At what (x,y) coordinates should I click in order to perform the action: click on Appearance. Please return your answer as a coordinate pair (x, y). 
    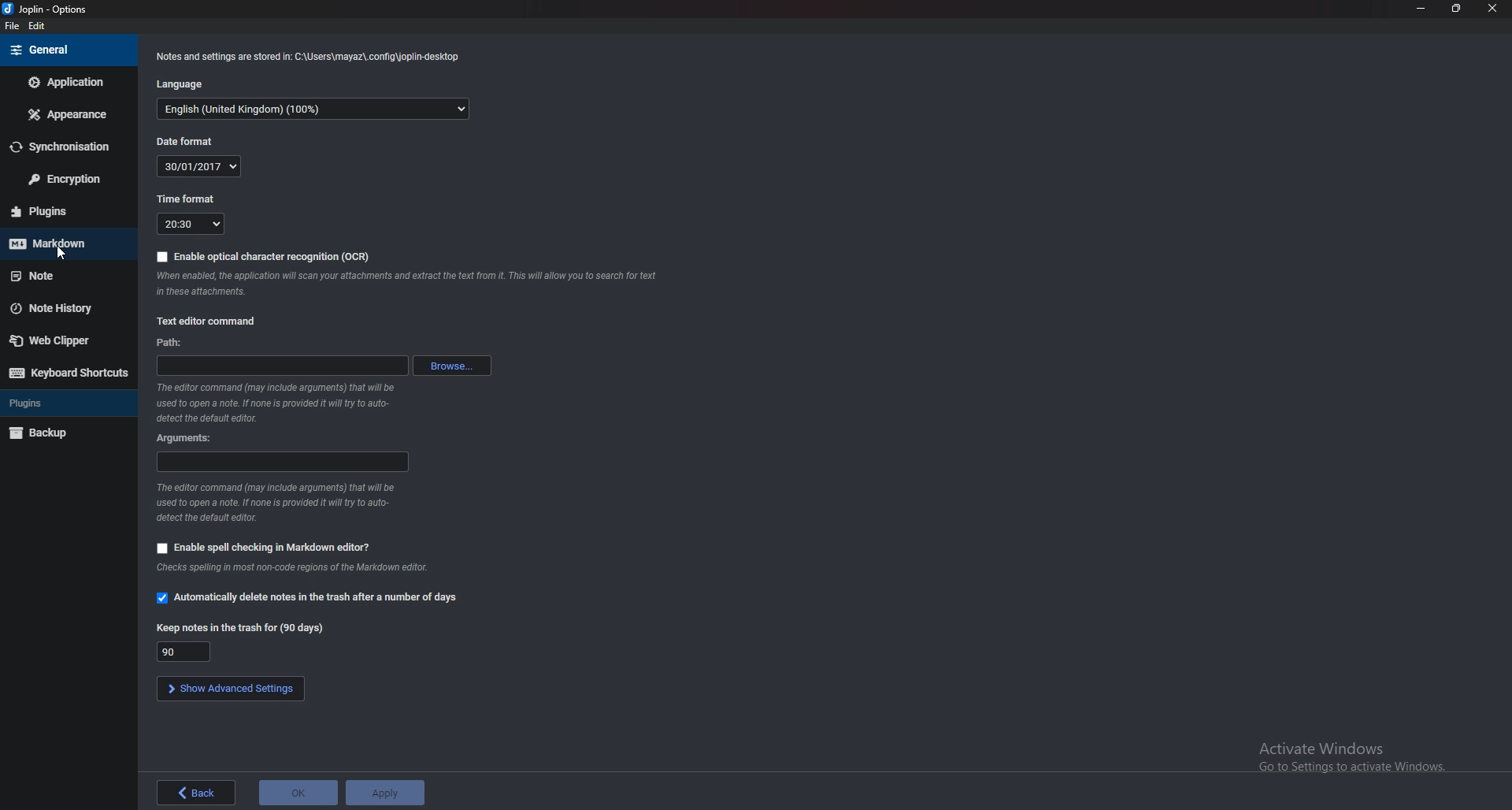
    Looking at the image, I should click on (66, 114).